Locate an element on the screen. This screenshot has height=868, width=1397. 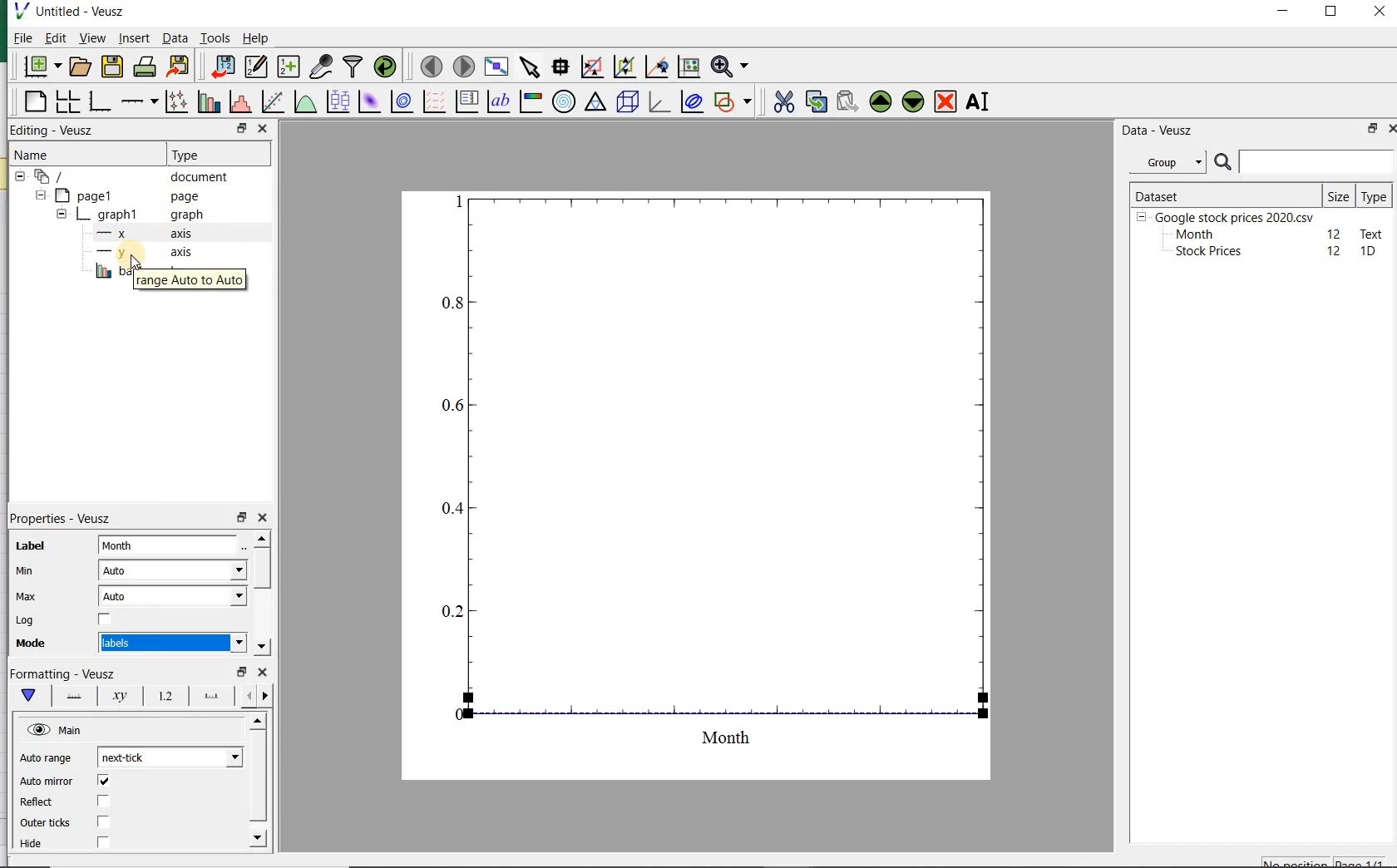
minimize is located at coordinates (1284, 12).